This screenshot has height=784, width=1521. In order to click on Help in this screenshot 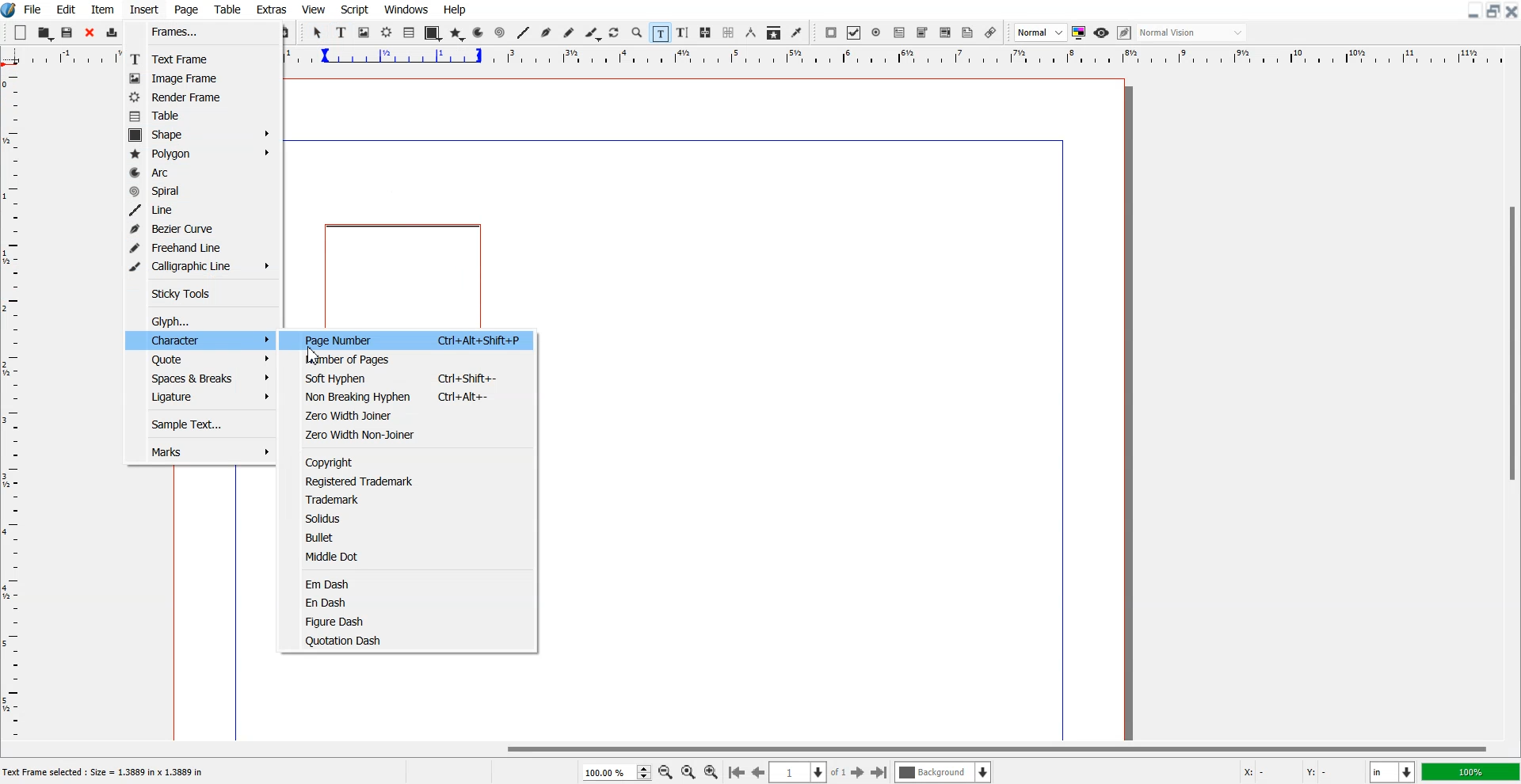, I will do `click(454, 10)`.